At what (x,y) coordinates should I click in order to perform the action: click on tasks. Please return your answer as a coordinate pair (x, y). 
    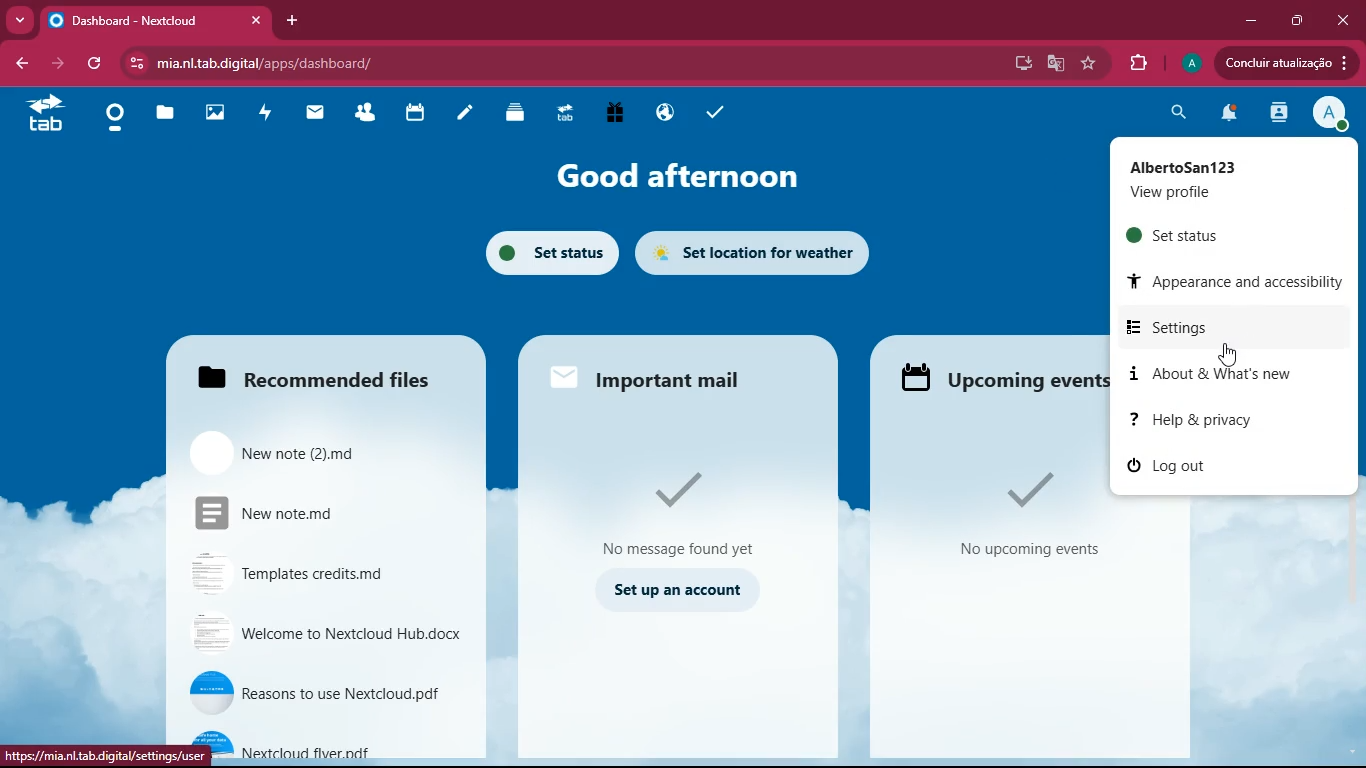
    Looking at the image, I should click on (715, 112).